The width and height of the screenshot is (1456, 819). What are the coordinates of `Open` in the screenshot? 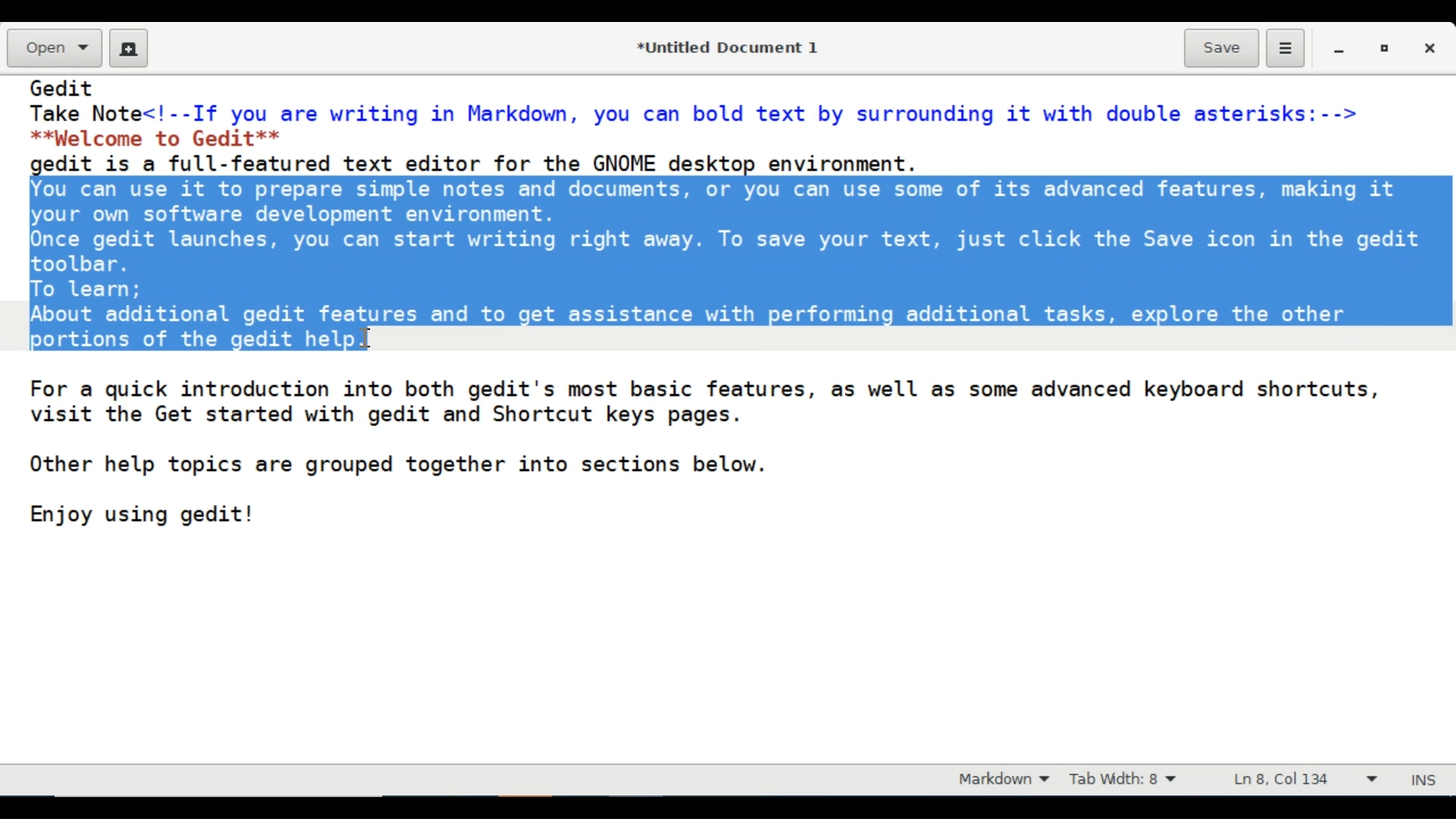 It's located at (52, 49).